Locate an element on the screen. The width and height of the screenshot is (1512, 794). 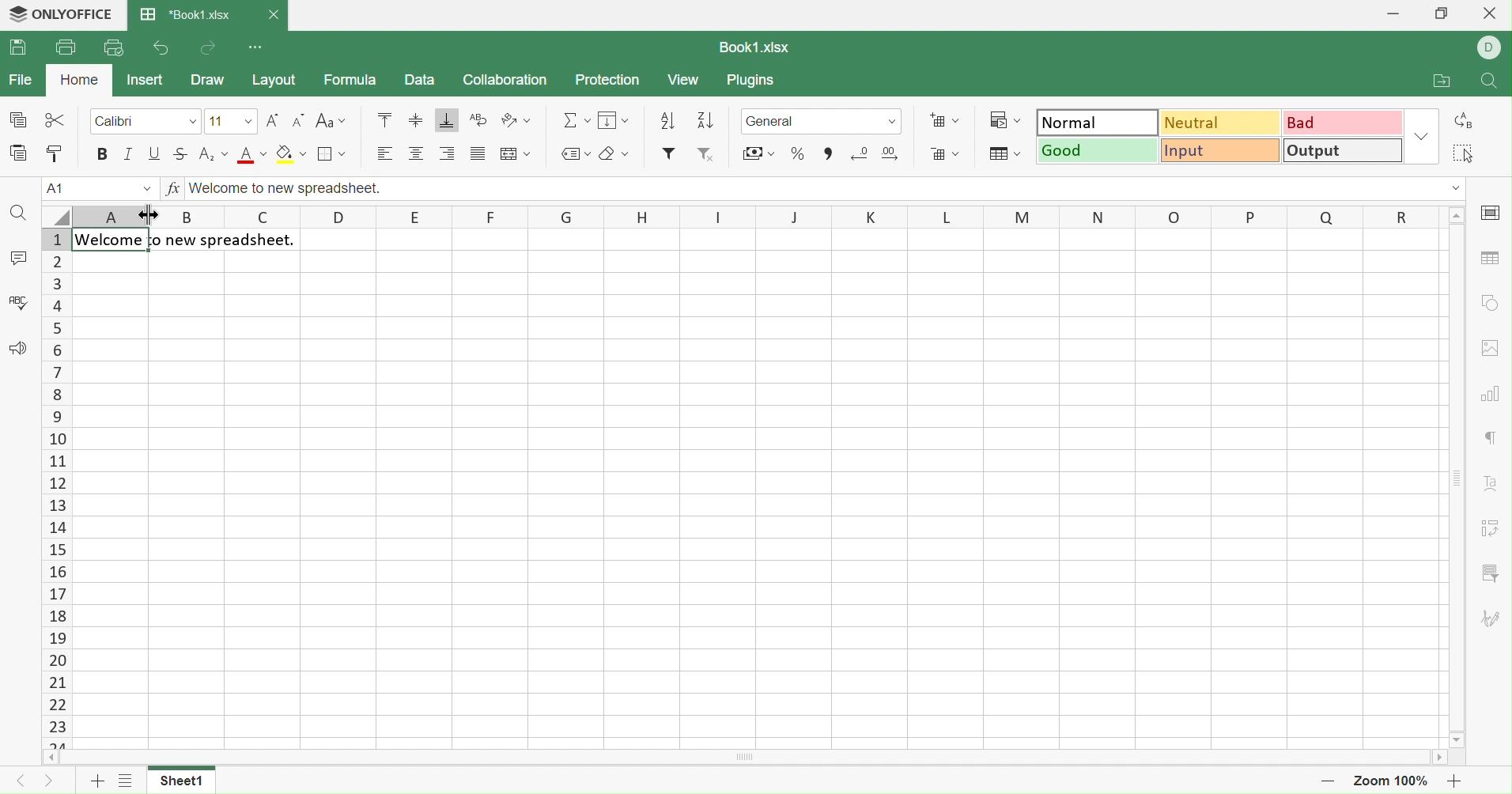
View is located at coordinates (686, 81).